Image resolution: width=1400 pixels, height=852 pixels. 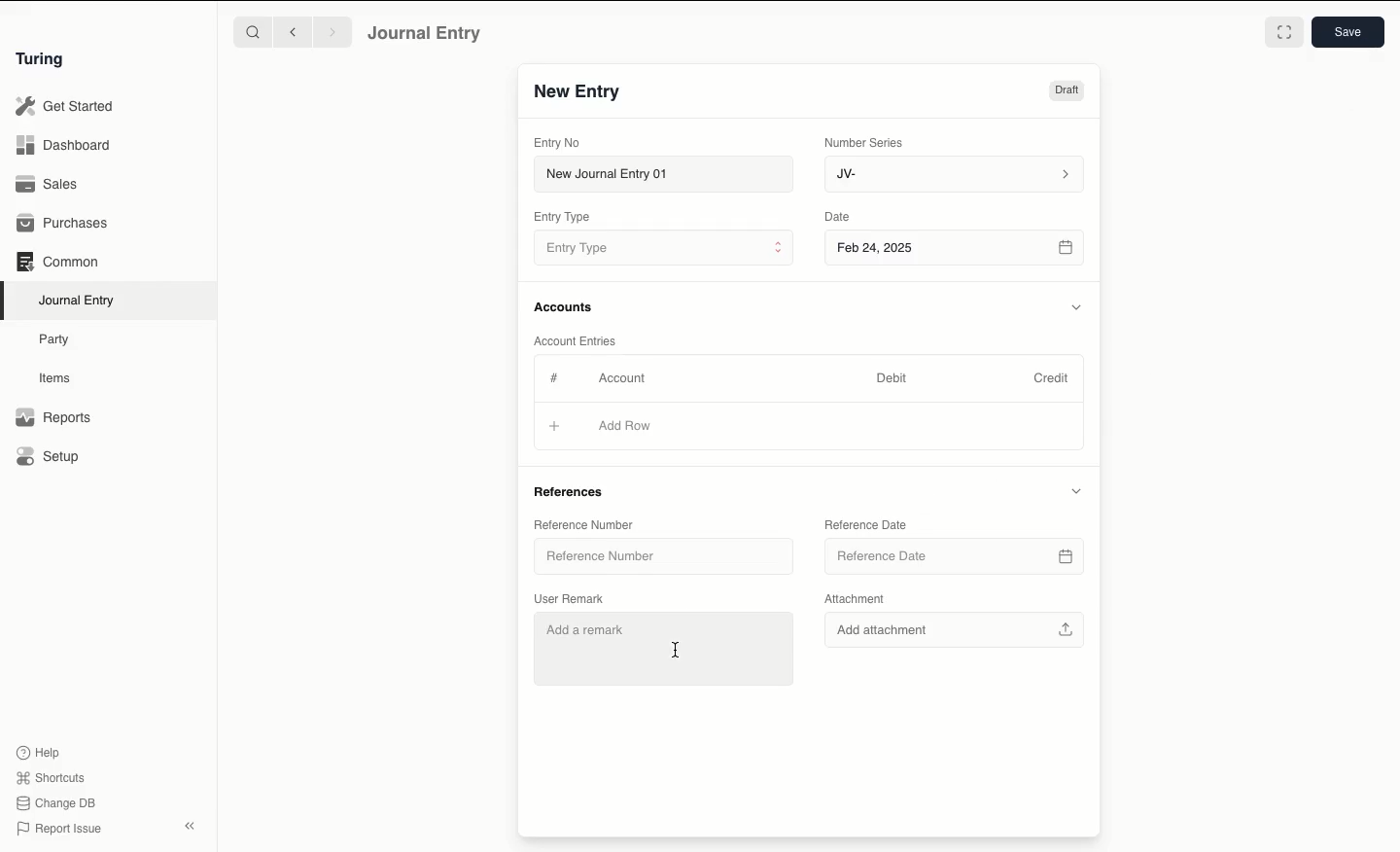 What do you see at coordinates (63, 146) in the screenshot?
I see `Dashboard` at bounding box center [63, 146].